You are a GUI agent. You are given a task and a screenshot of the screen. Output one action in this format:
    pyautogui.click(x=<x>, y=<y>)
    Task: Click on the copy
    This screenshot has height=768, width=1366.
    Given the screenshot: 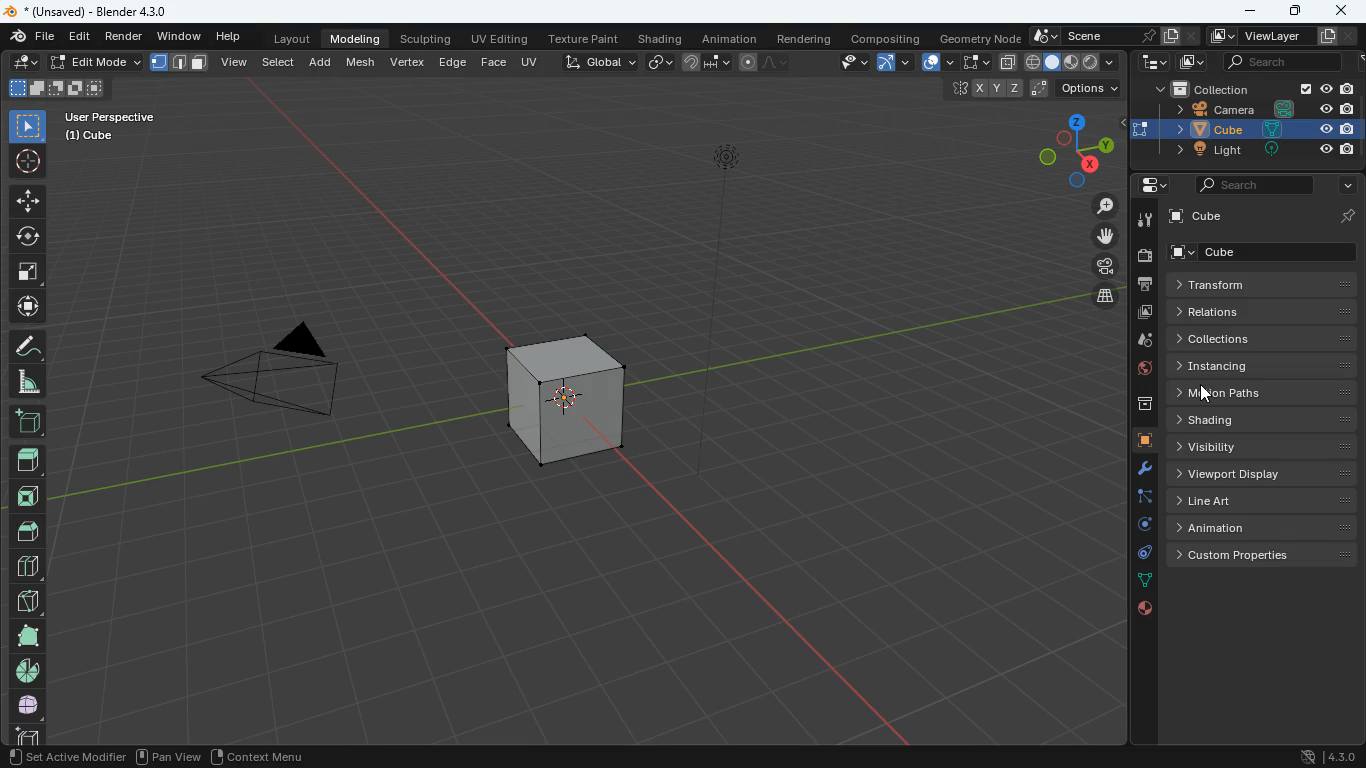 What is the action you would take?
    pyautogui.click(x=1007, y=62)
    